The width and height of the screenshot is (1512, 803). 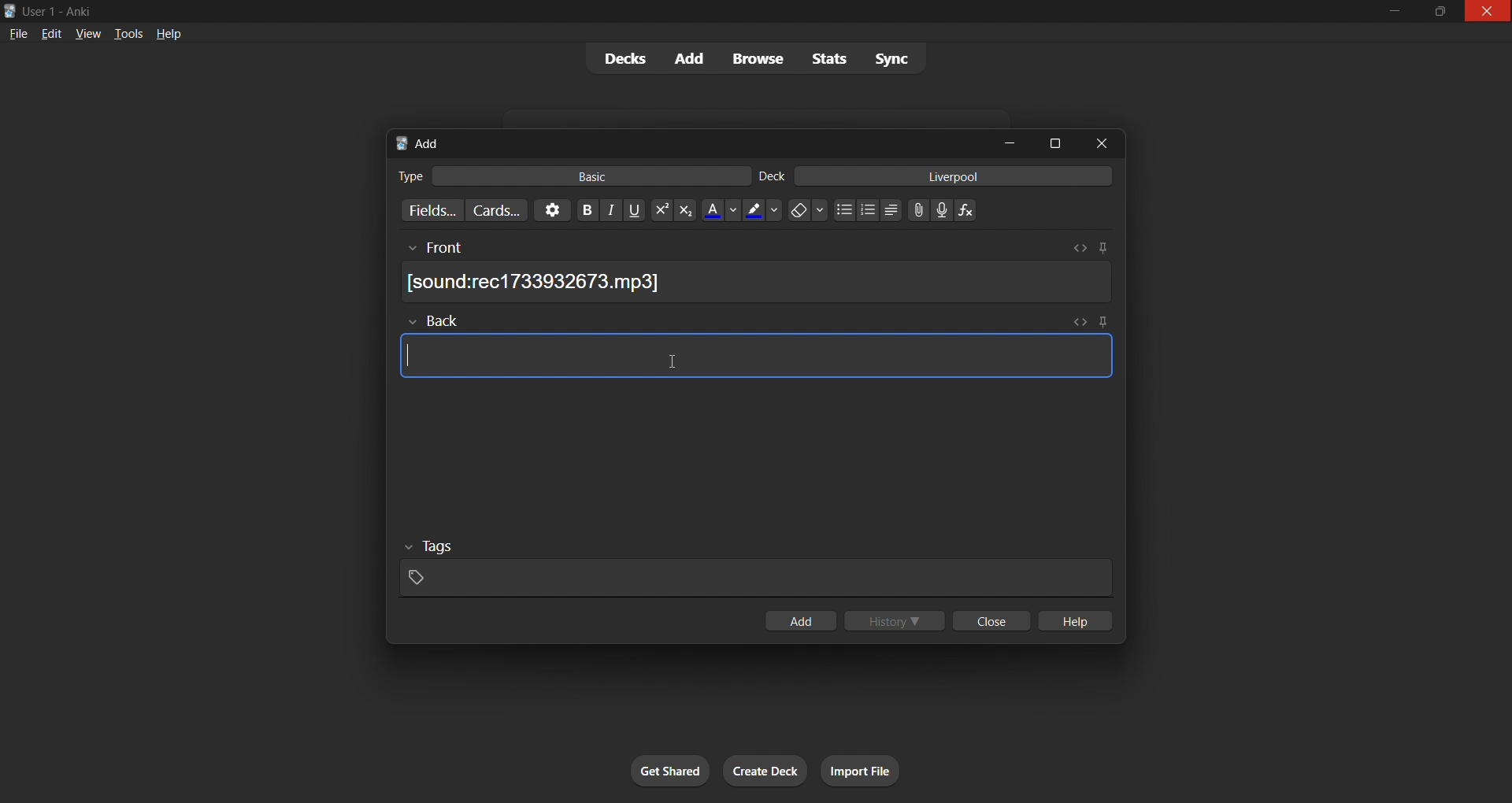 I want to click on close, so click(x=1095, y=144).